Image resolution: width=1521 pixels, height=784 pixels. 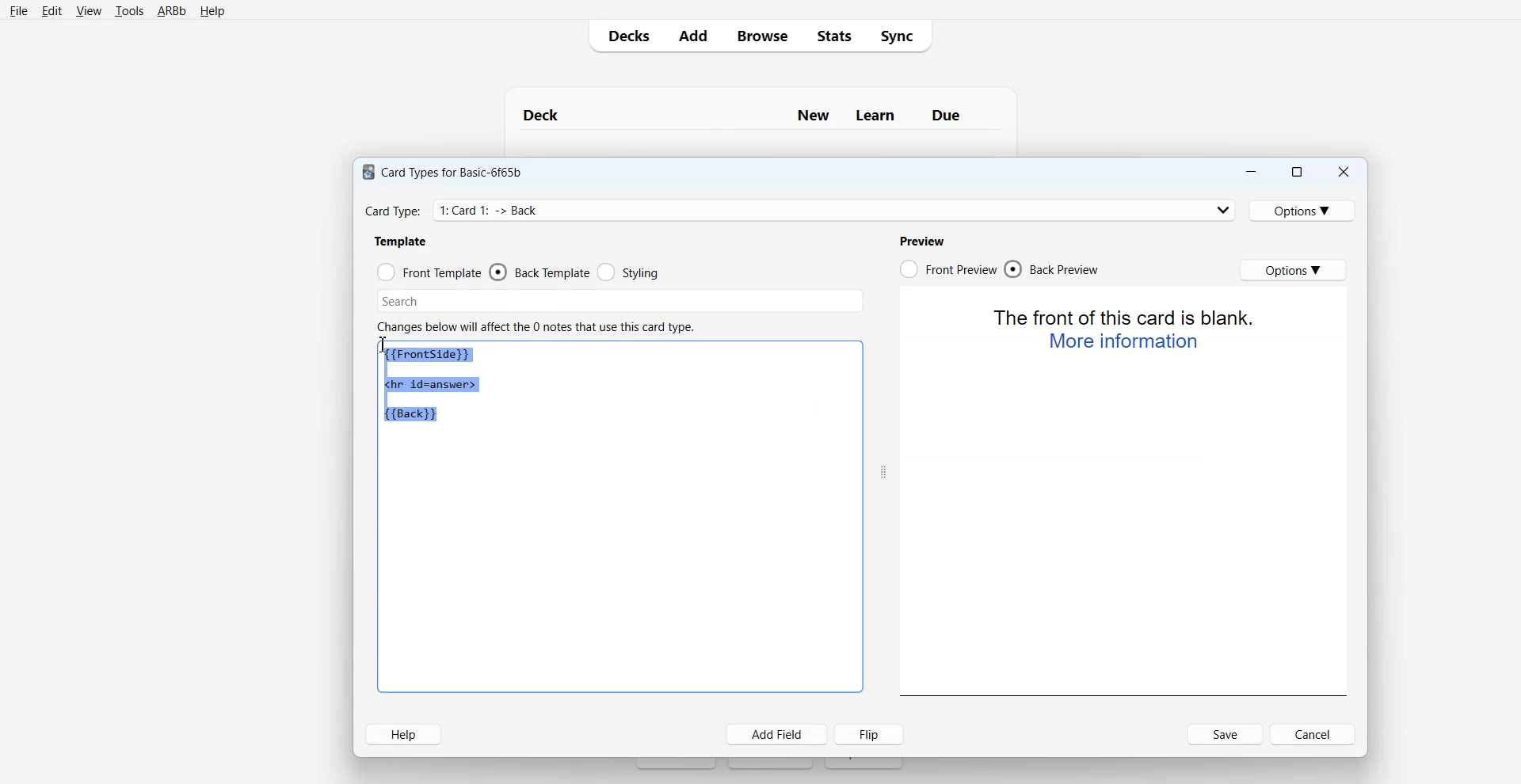 What do you see at coordinates (625, 36) in the screenshot?
I see `Decks` at bounding box center [625, 36].